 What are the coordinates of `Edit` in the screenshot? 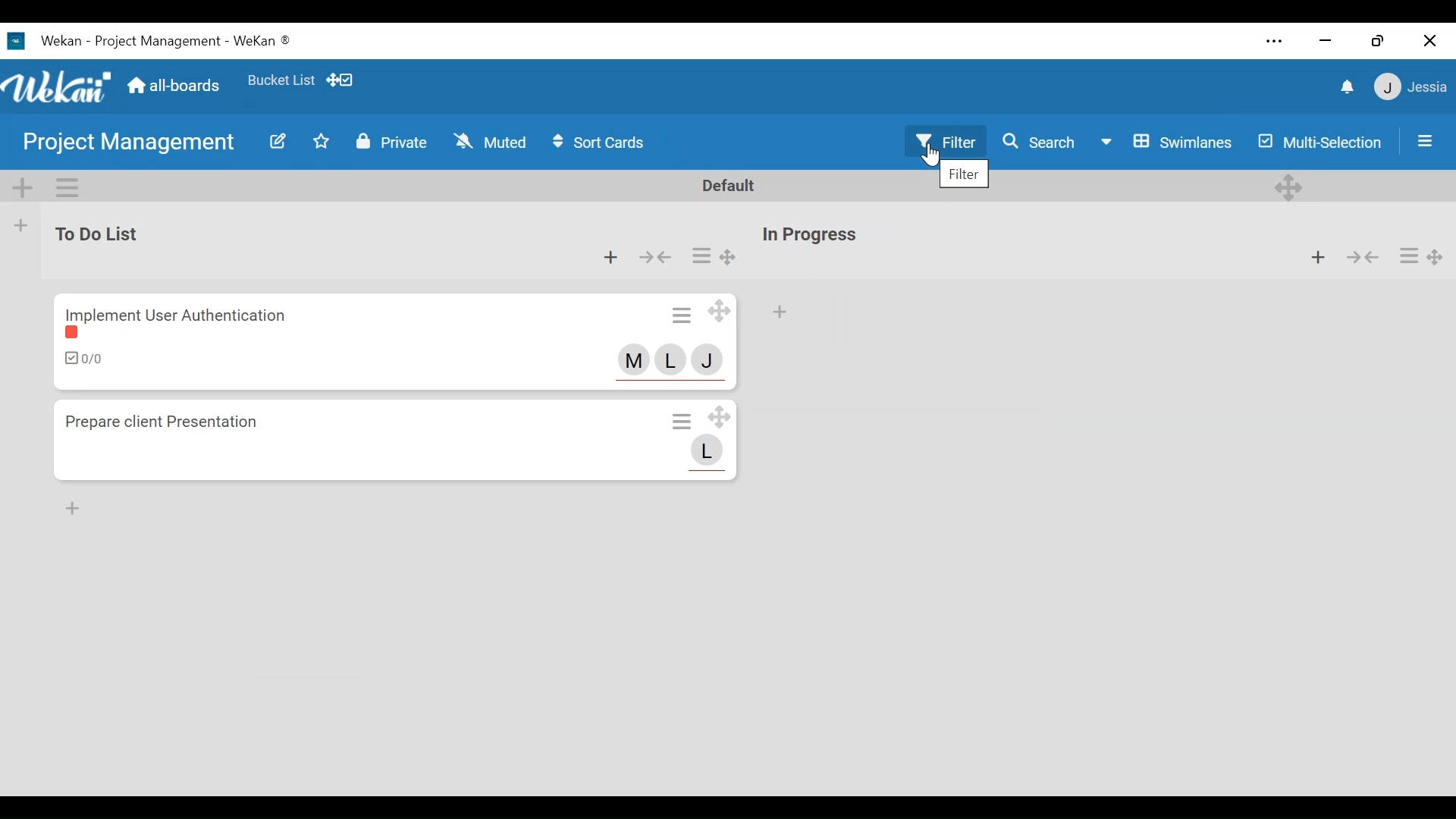 It's located at (278, 140).